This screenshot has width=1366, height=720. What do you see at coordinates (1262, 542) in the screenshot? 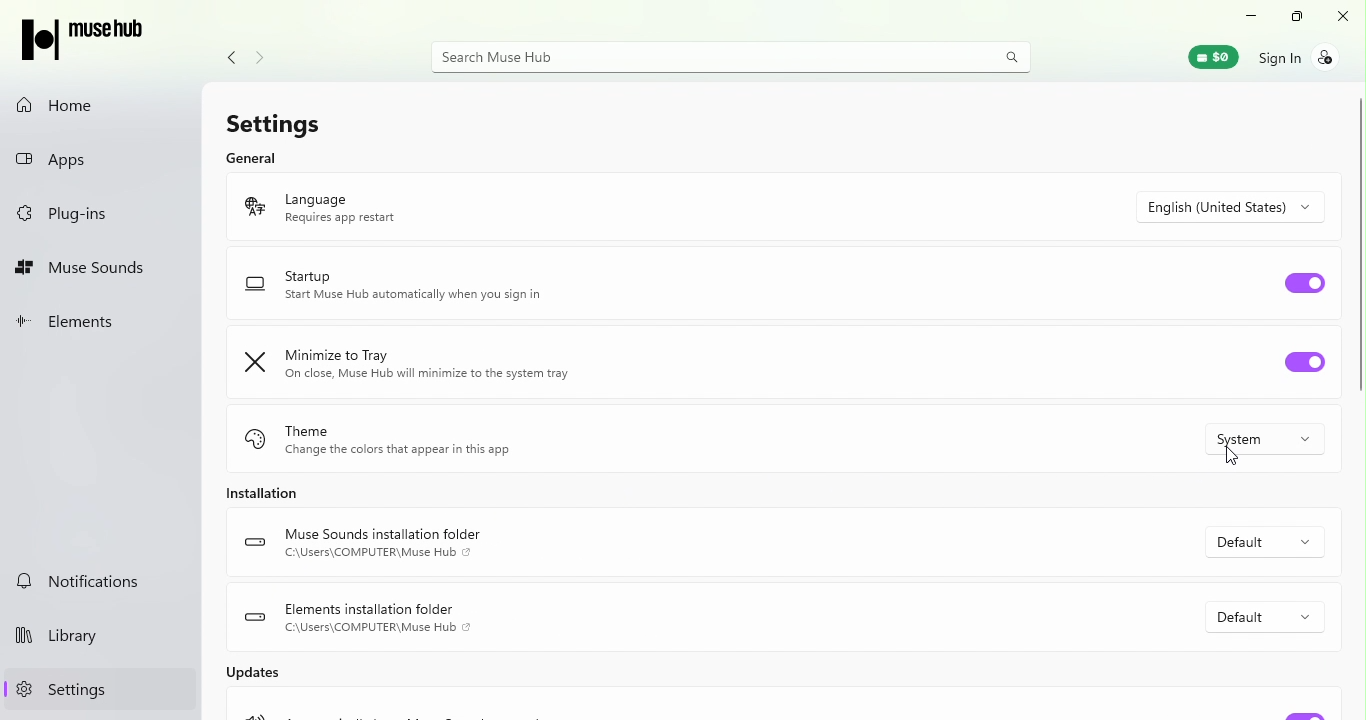
I see `Drop down menu` at bounding box center [1262, 542].